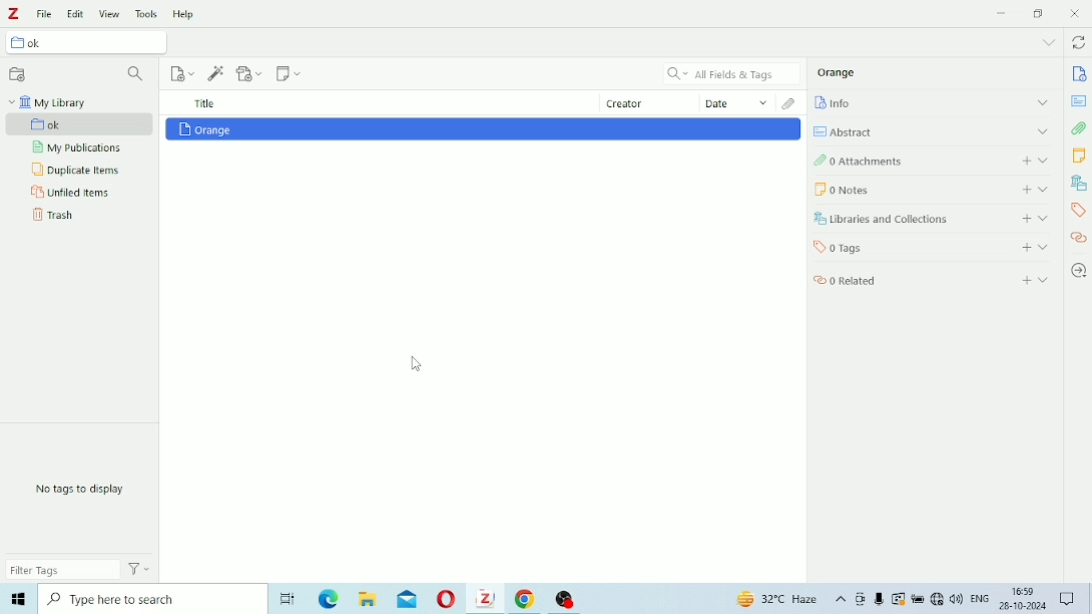  What do you see at coordinates (1024, 589) in the screenshot?
I see `16:59` at bounding box center [1024, 589].